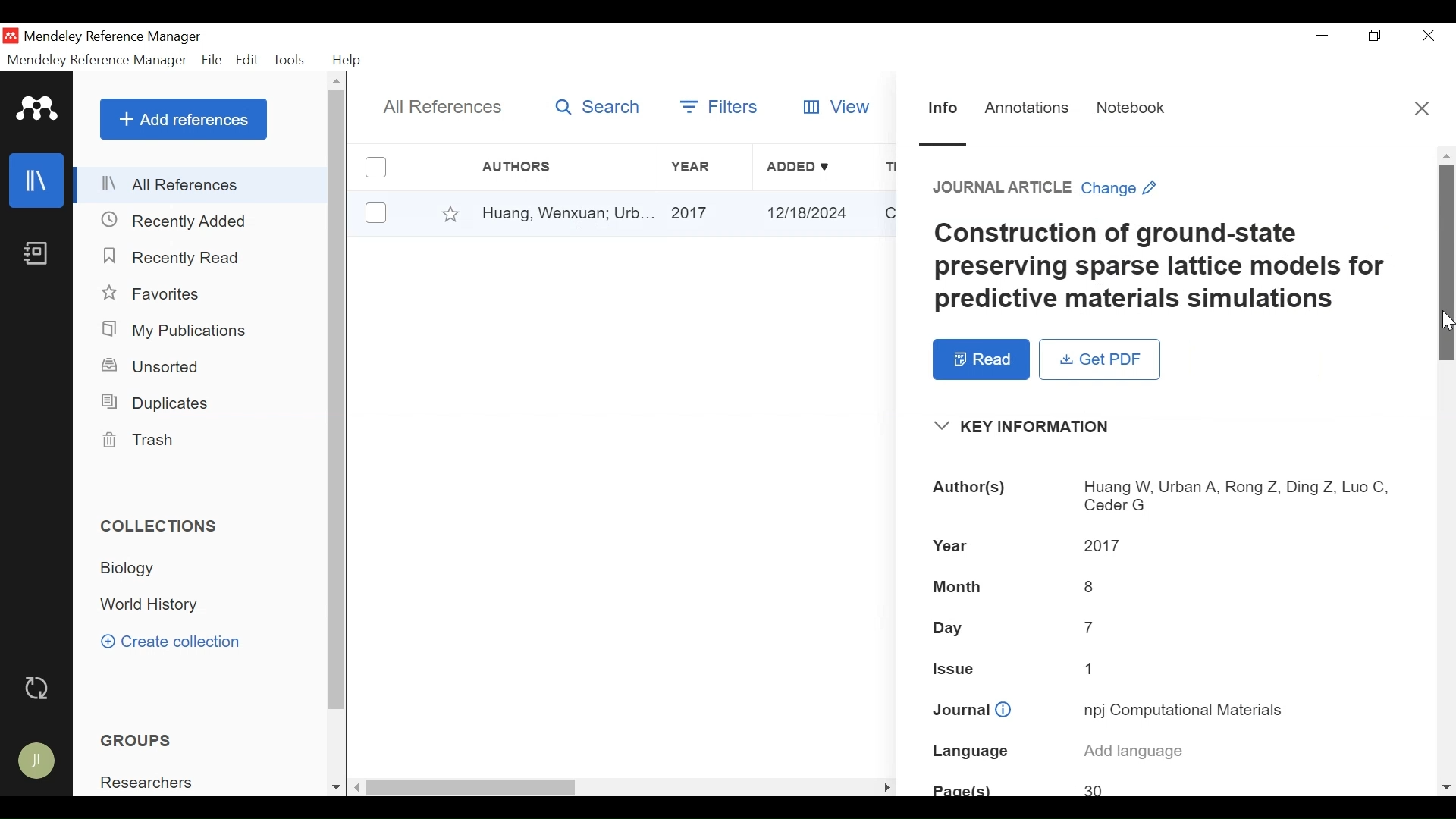  Describe the element at coordinates (212, 60) in the screenshot. I see `File` at that location.